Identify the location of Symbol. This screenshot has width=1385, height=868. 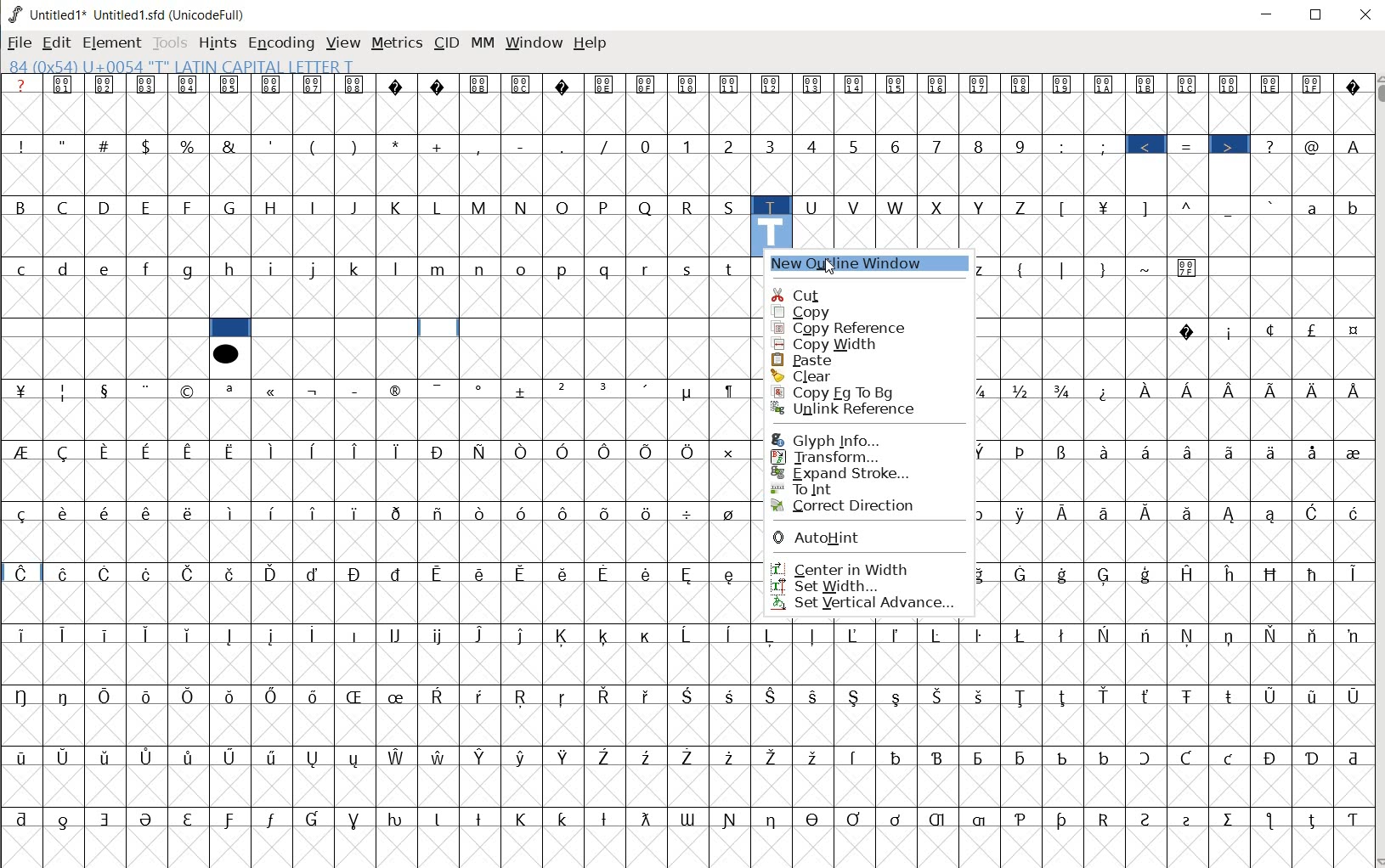
(981, 450).